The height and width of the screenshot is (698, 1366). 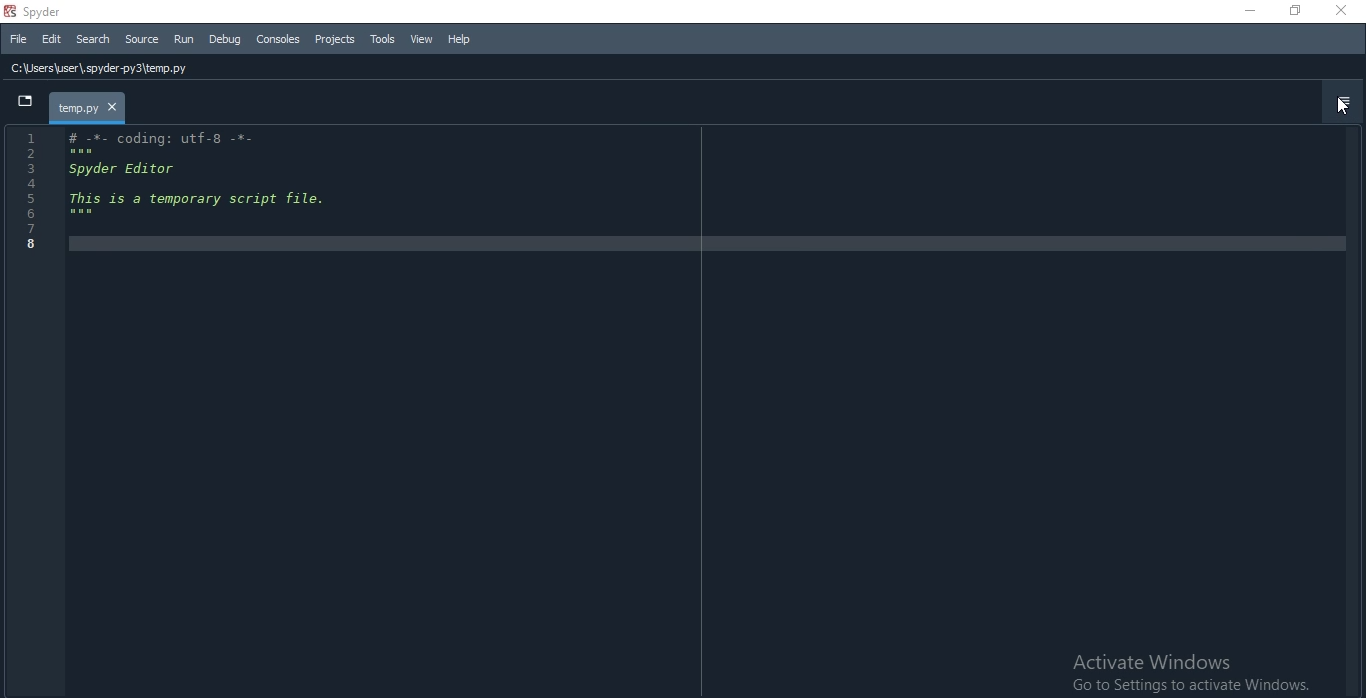 What do you see at coordinates (383, 39) in the screenshot?
I see `Tools` at bounding box center [383, 39].